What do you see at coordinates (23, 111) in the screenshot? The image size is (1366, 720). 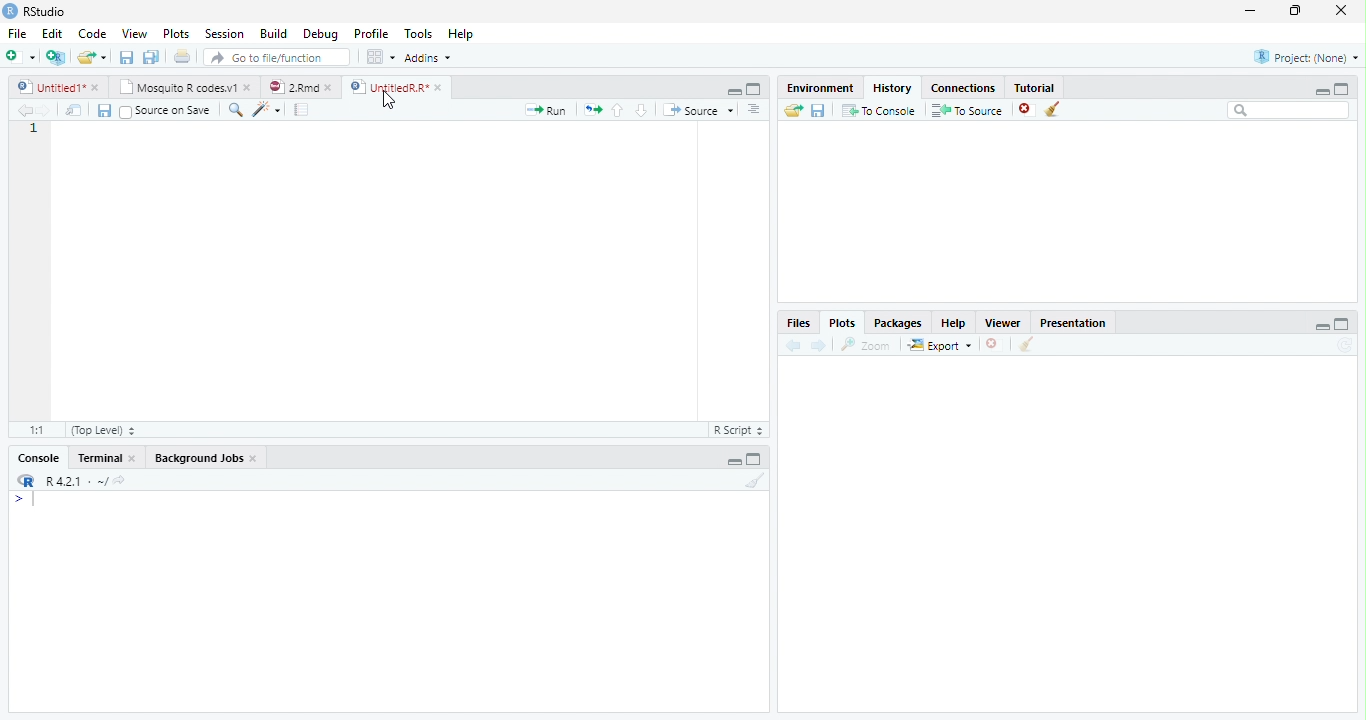 I see `Back` at bounding box center [23, 111].